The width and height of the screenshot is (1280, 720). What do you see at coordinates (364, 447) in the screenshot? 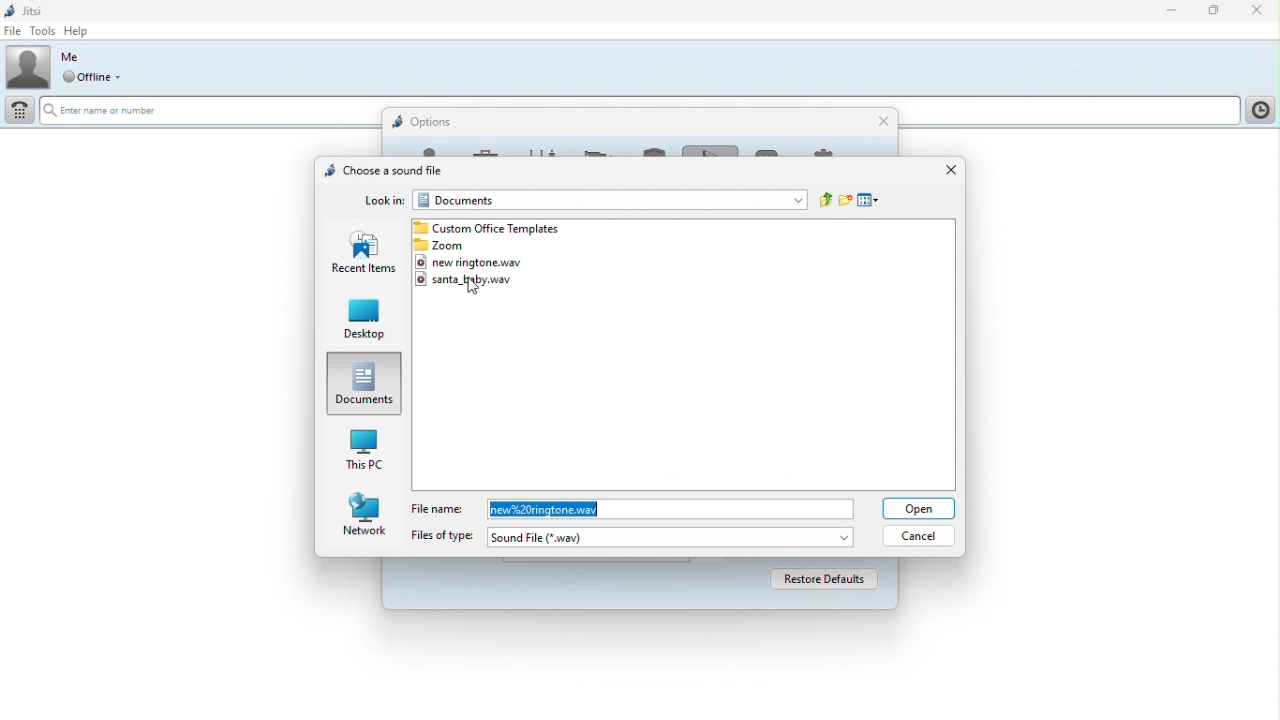
I see `This PC` at bounding box center [364, 447].